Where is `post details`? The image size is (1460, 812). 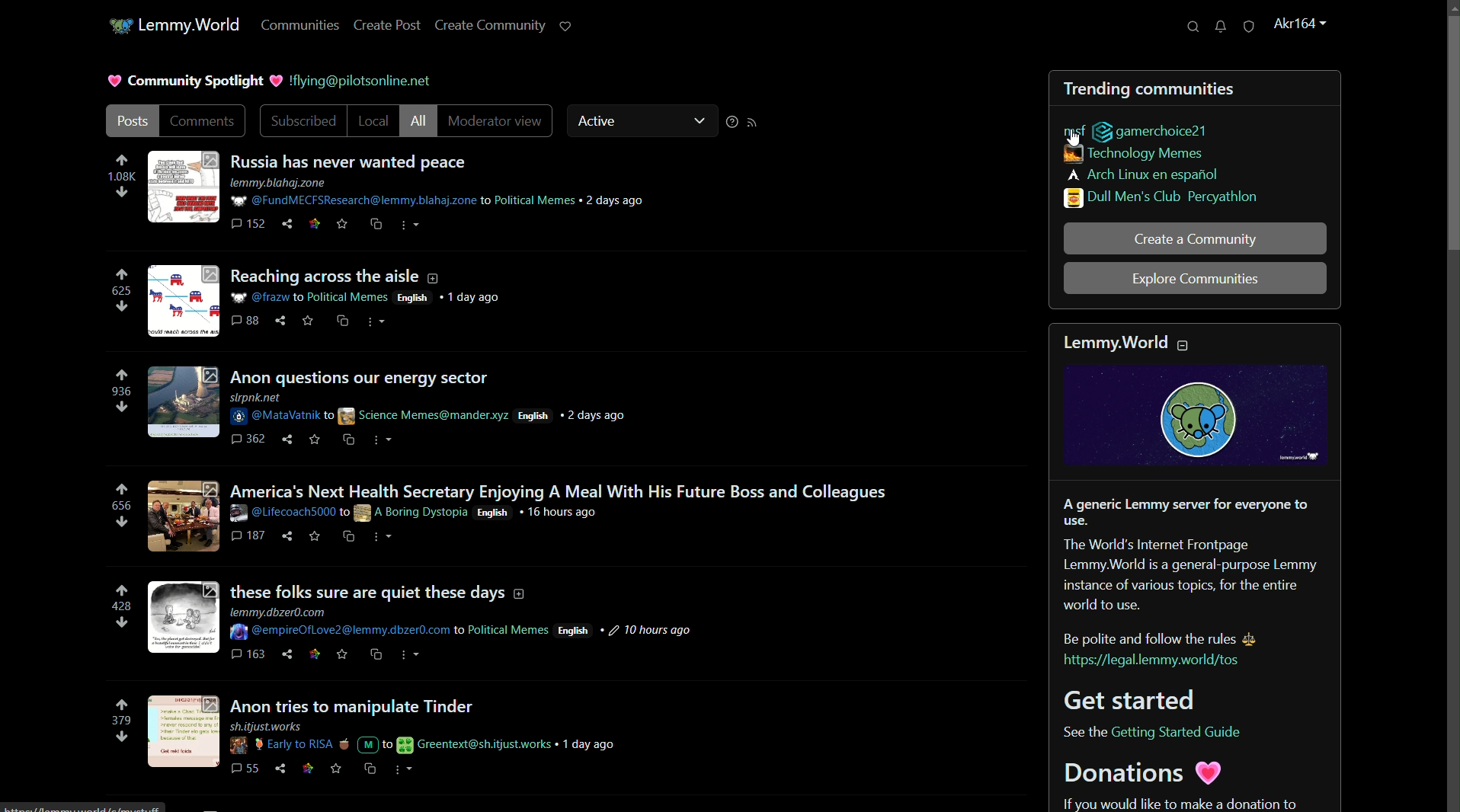
post details is located at coordinates (445, 192).